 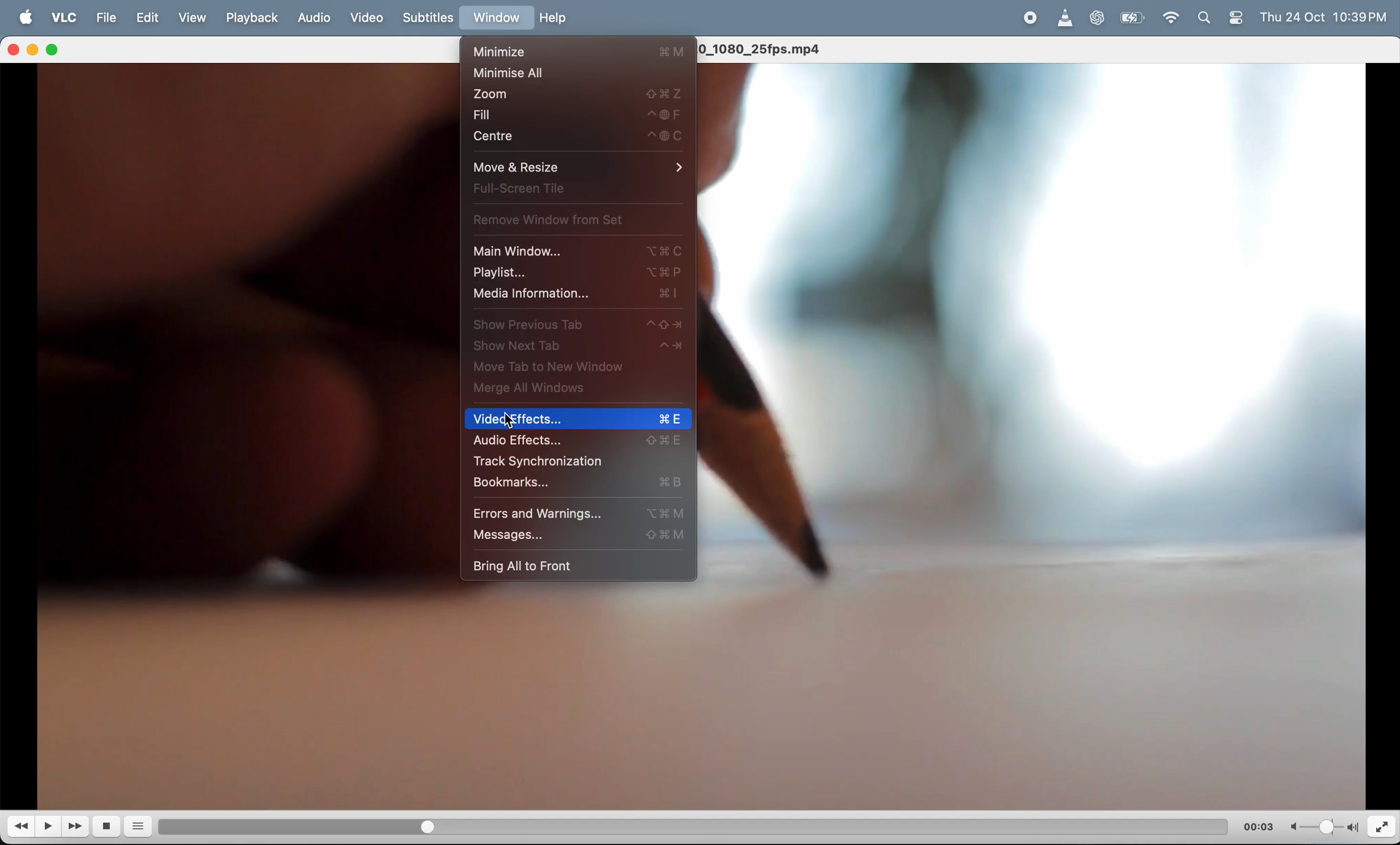 What do you see at coordinates (560, 219) in the screenshot?
I see `remove Window from seat` at bounding box center [560, 219].